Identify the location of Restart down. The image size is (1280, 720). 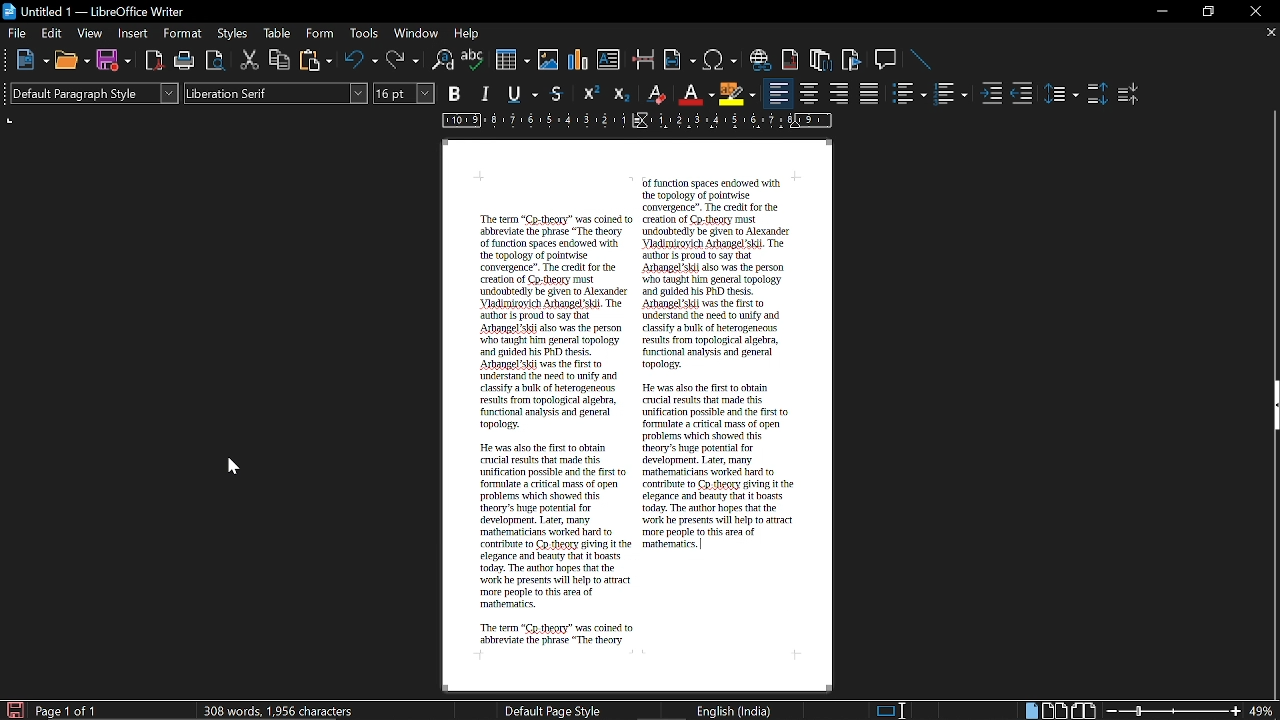
(1206, 14).